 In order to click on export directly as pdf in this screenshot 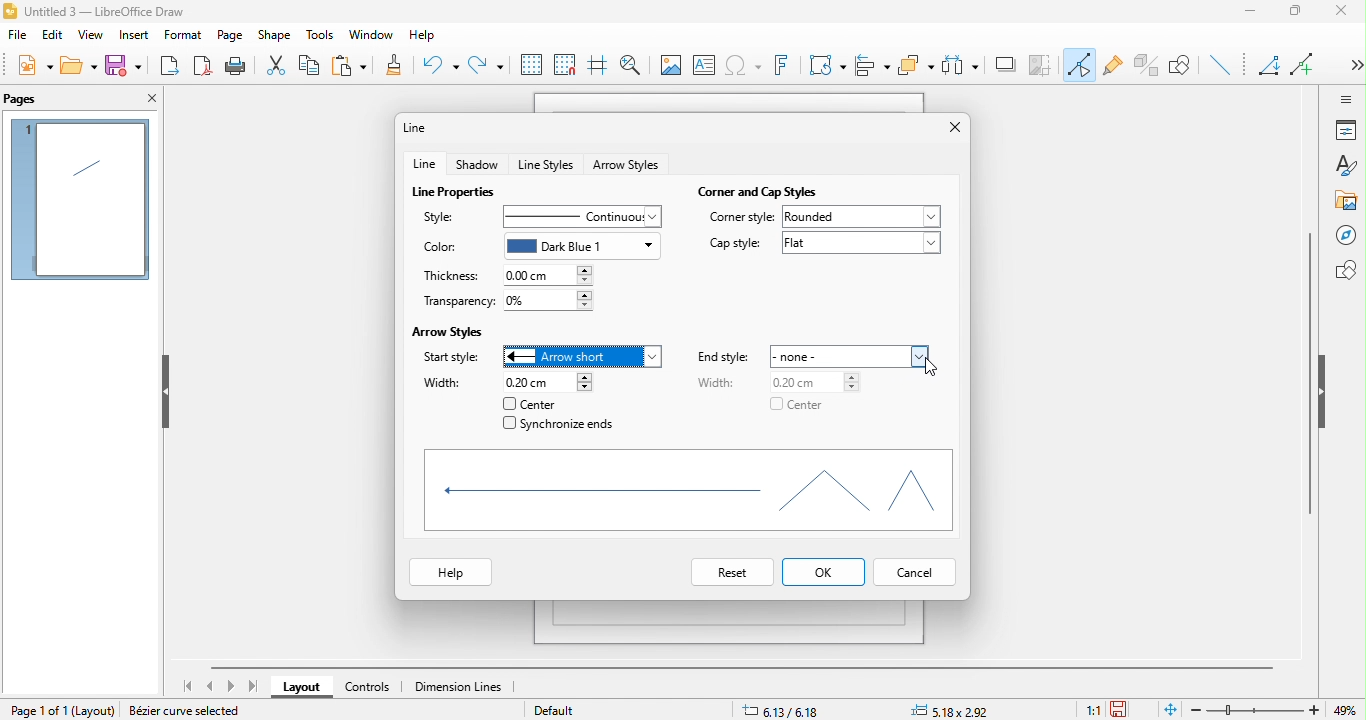, I will do `click(203, 67)`.